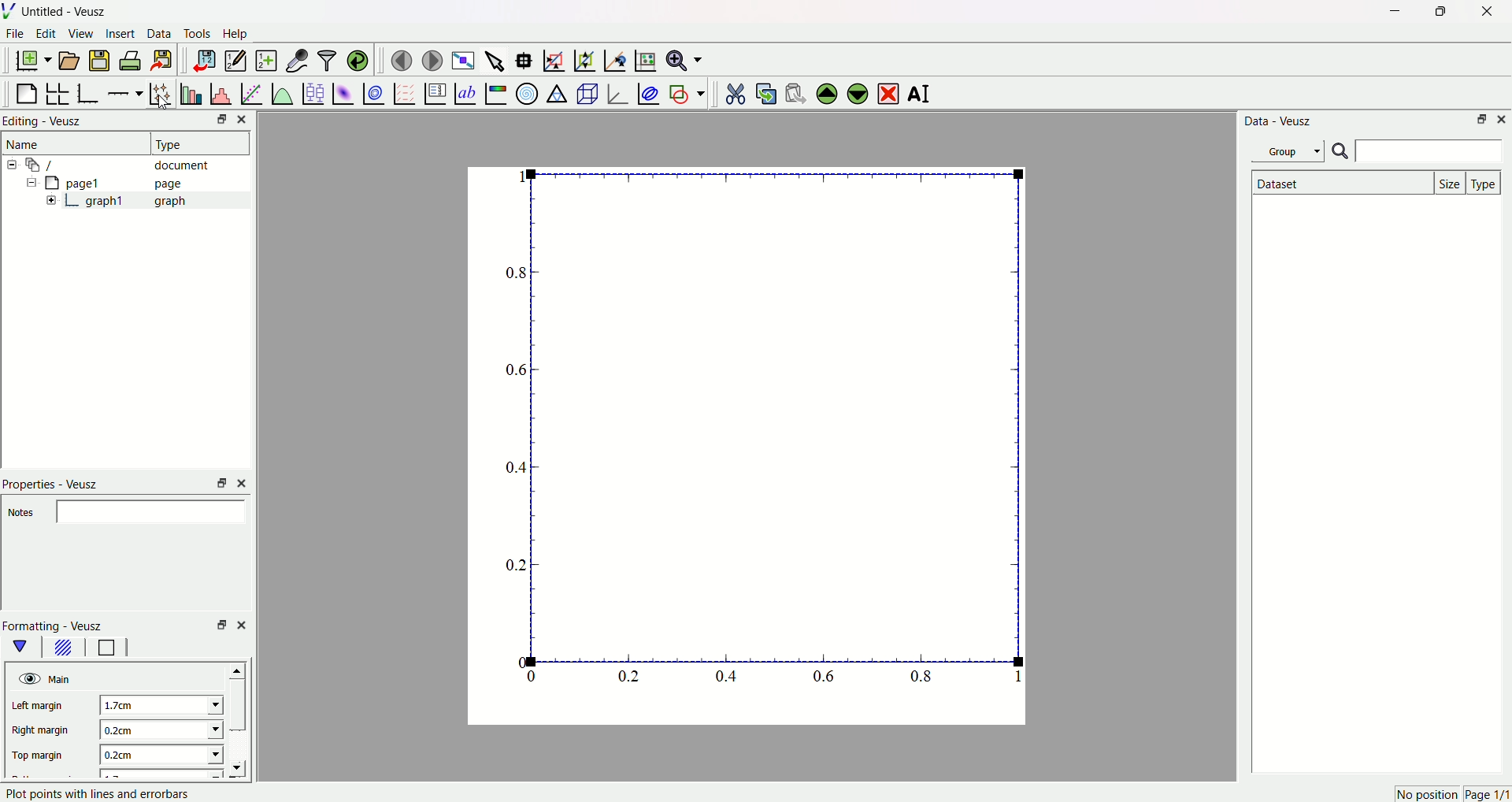 The image size is (1512, 802). I want to click on zoom the graph axes, so click(582, 58).